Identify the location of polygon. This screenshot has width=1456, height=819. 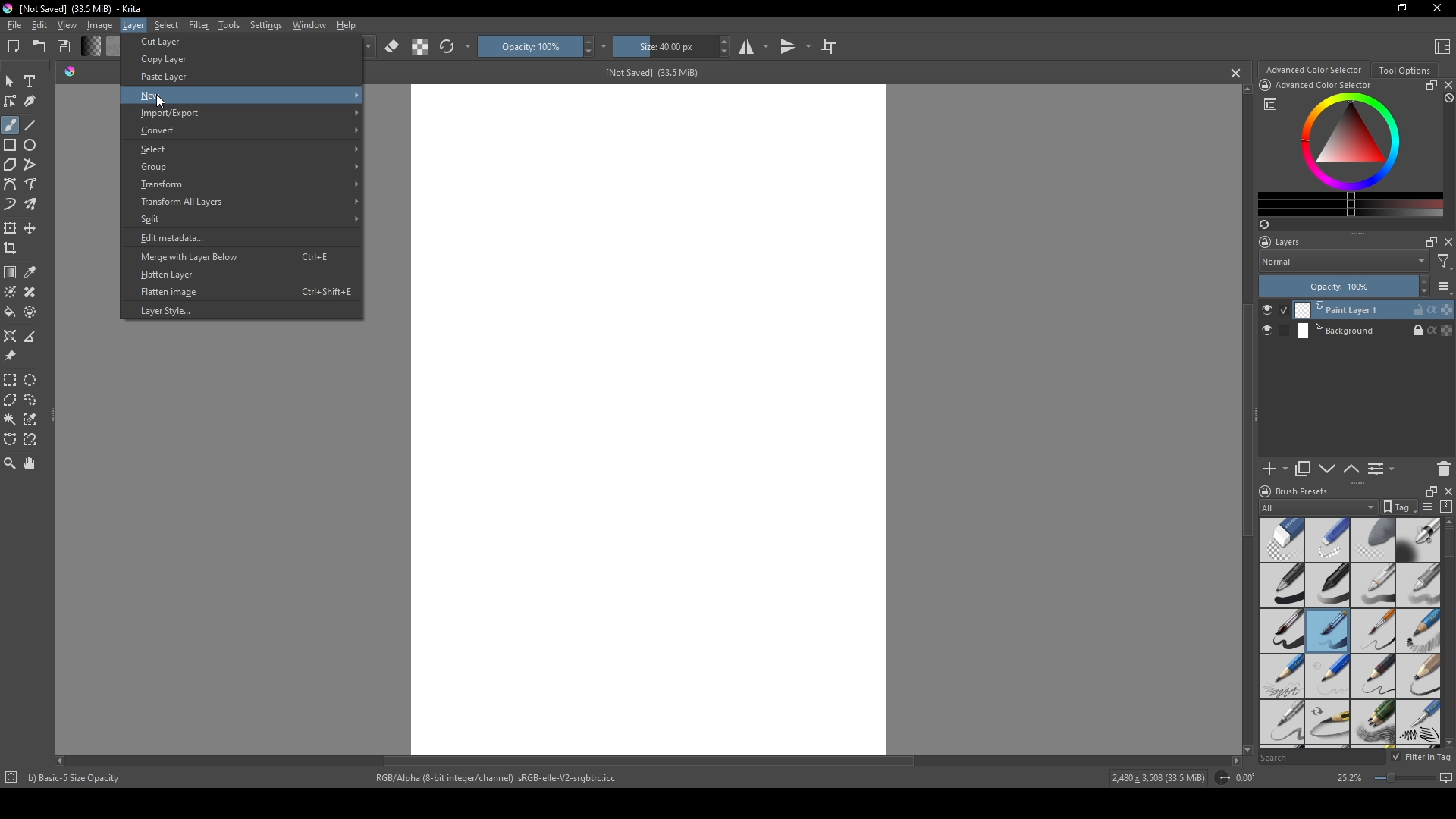
(10, 165).